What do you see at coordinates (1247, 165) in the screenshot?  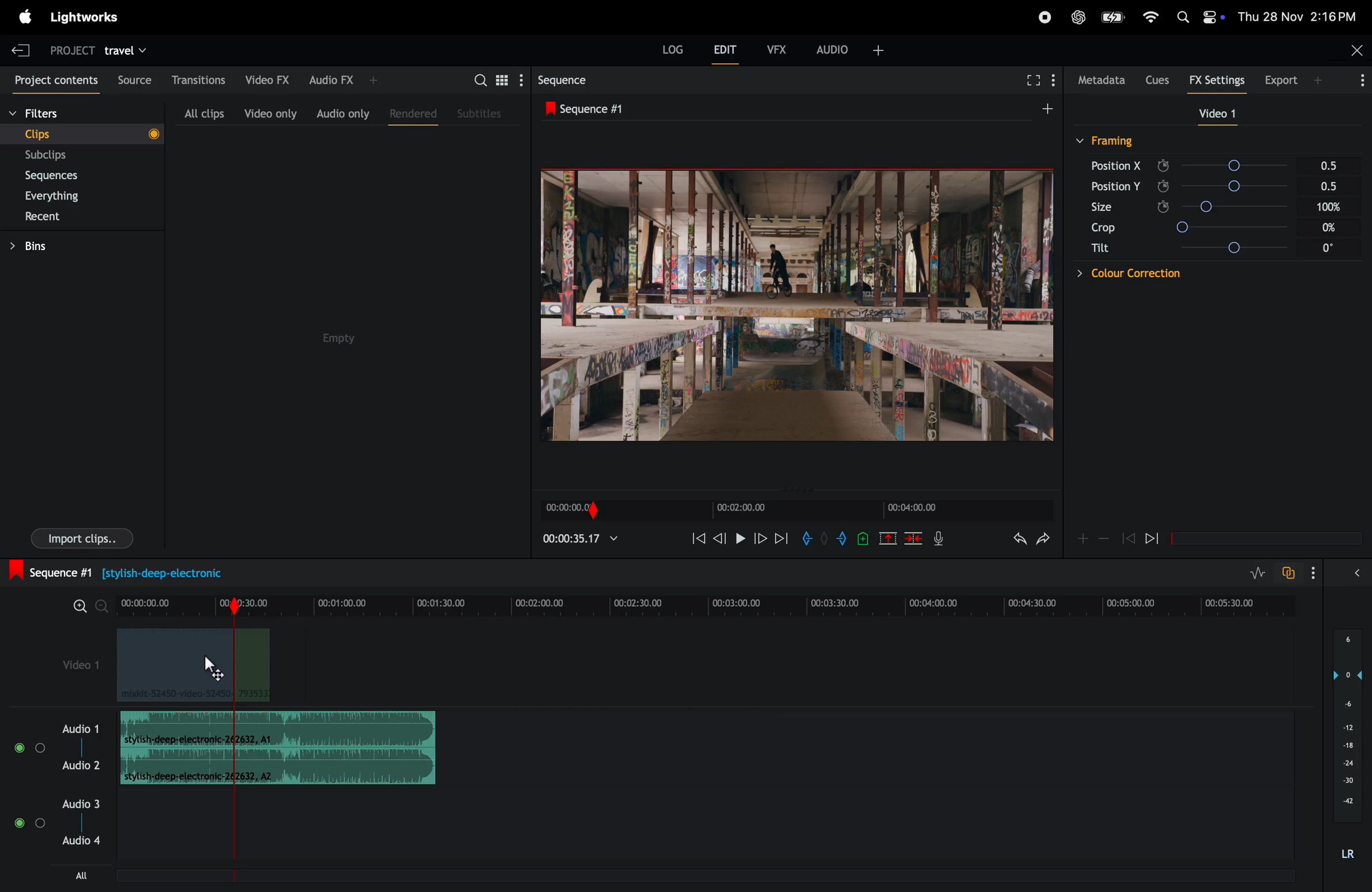 I see `angle` at bounding box center [1247, 165].